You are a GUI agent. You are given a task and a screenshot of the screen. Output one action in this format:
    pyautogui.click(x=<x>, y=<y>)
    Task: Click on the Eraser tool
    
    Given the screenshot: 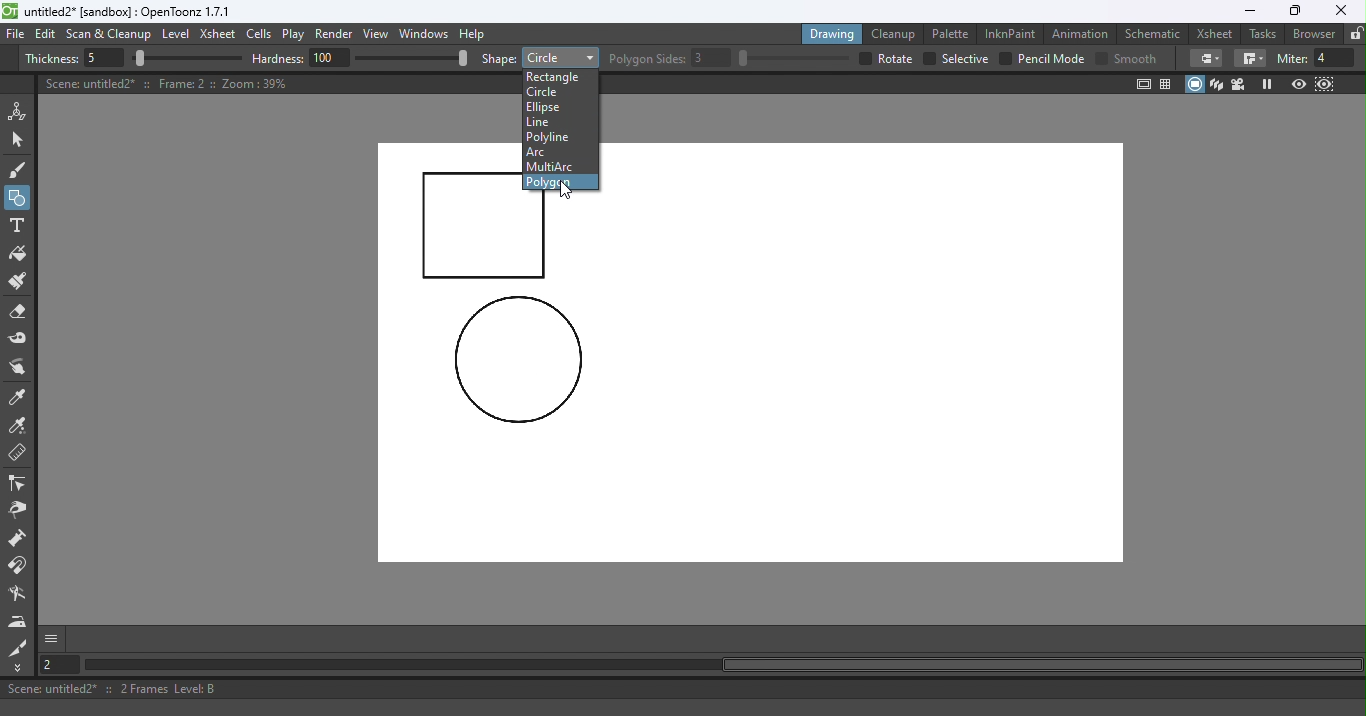 What is the action you would take?
    pyautogui.click(x=23, y=312)
    